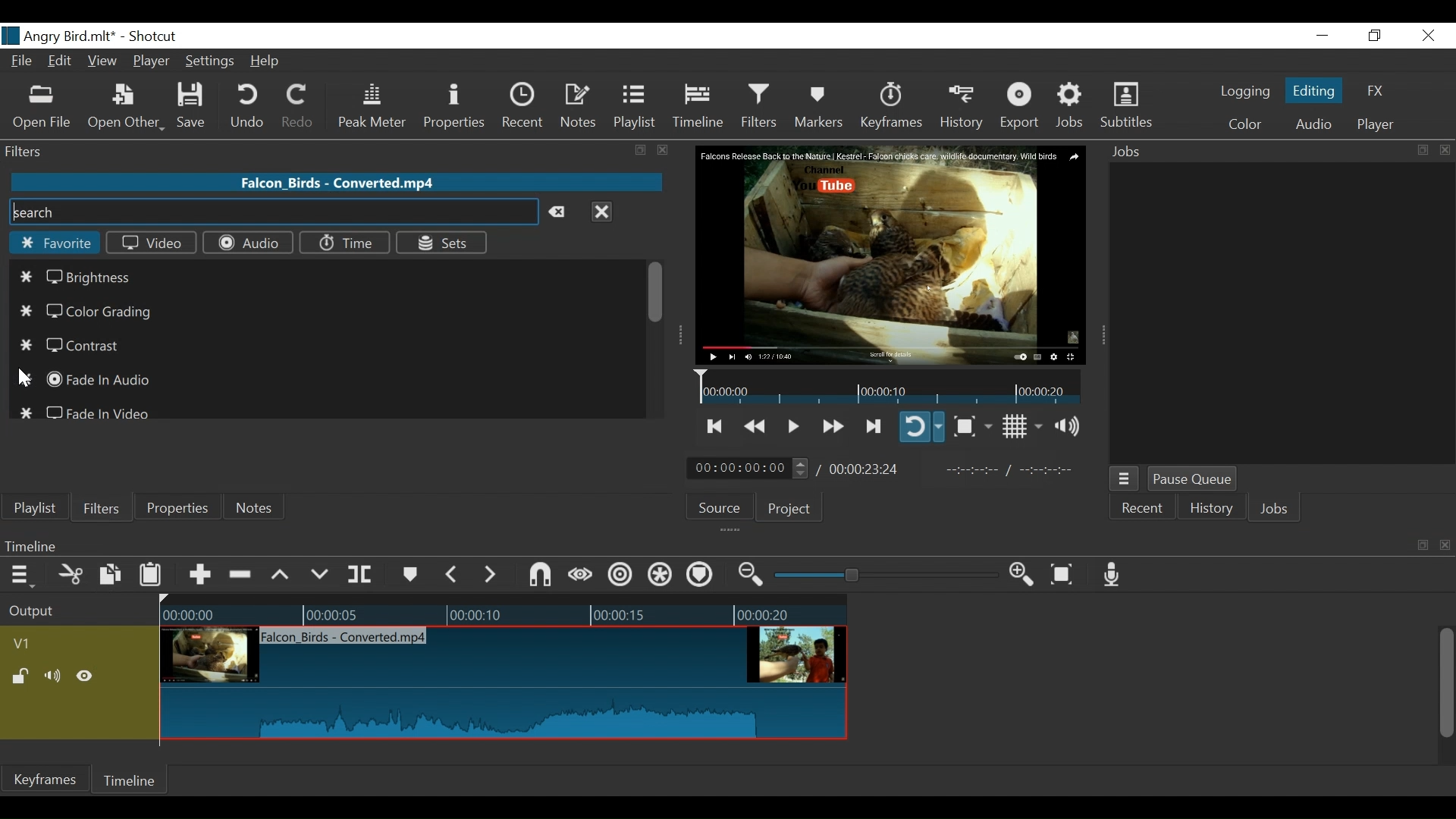 This screenshot has height=819, width=1456. I want to click on Clear search, so click(561, 212).